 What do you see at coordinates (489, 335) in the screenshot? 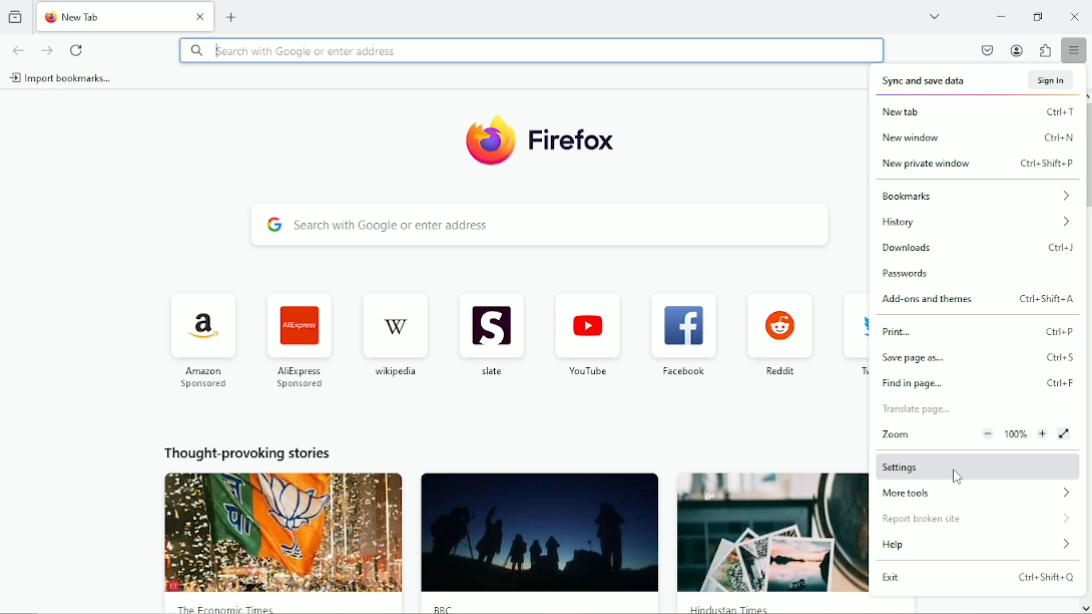
I see `Slate` at bounding box center [489, 335].